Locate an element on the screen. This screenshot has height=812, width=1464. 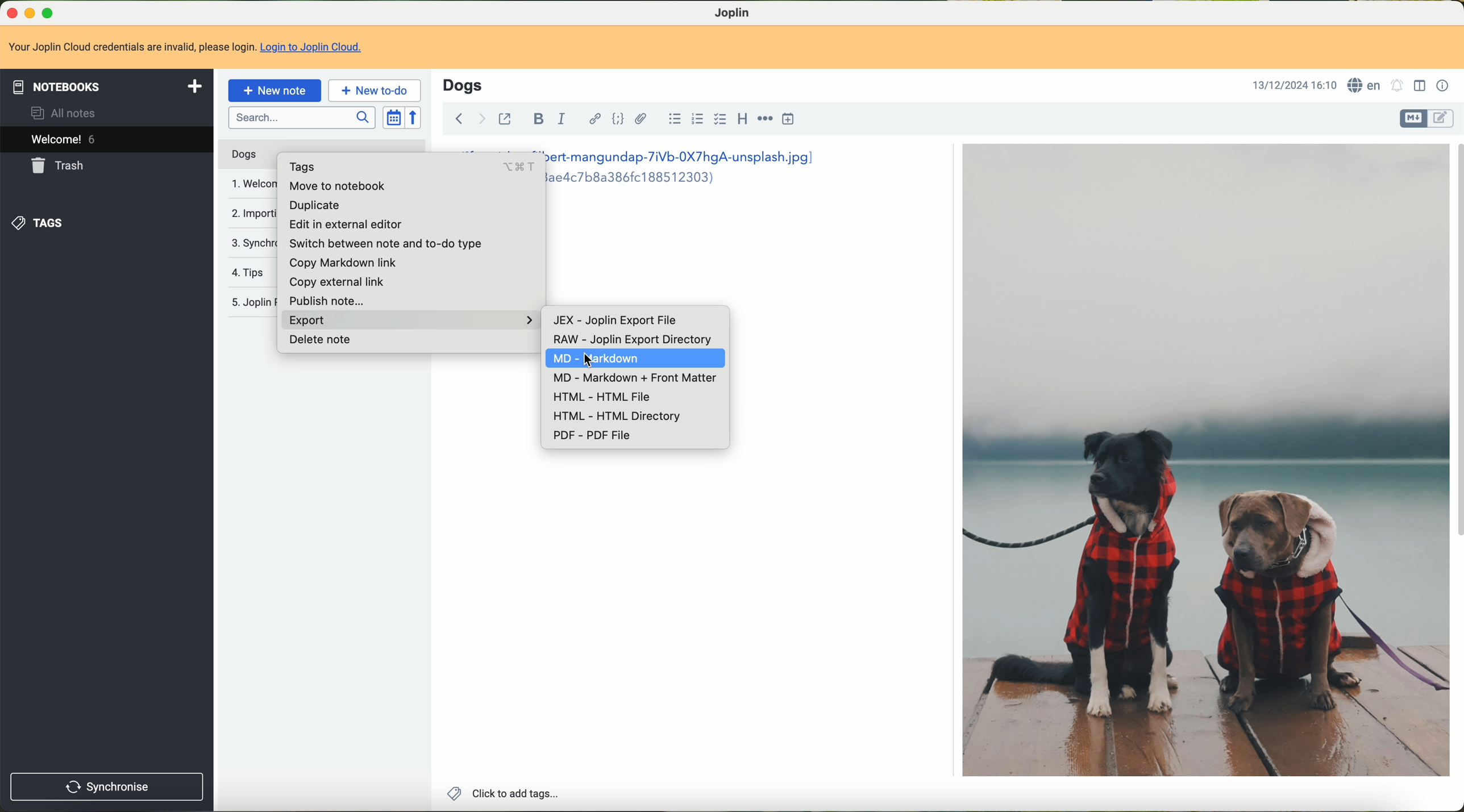
synchronise is located at coordinates (107, 787).